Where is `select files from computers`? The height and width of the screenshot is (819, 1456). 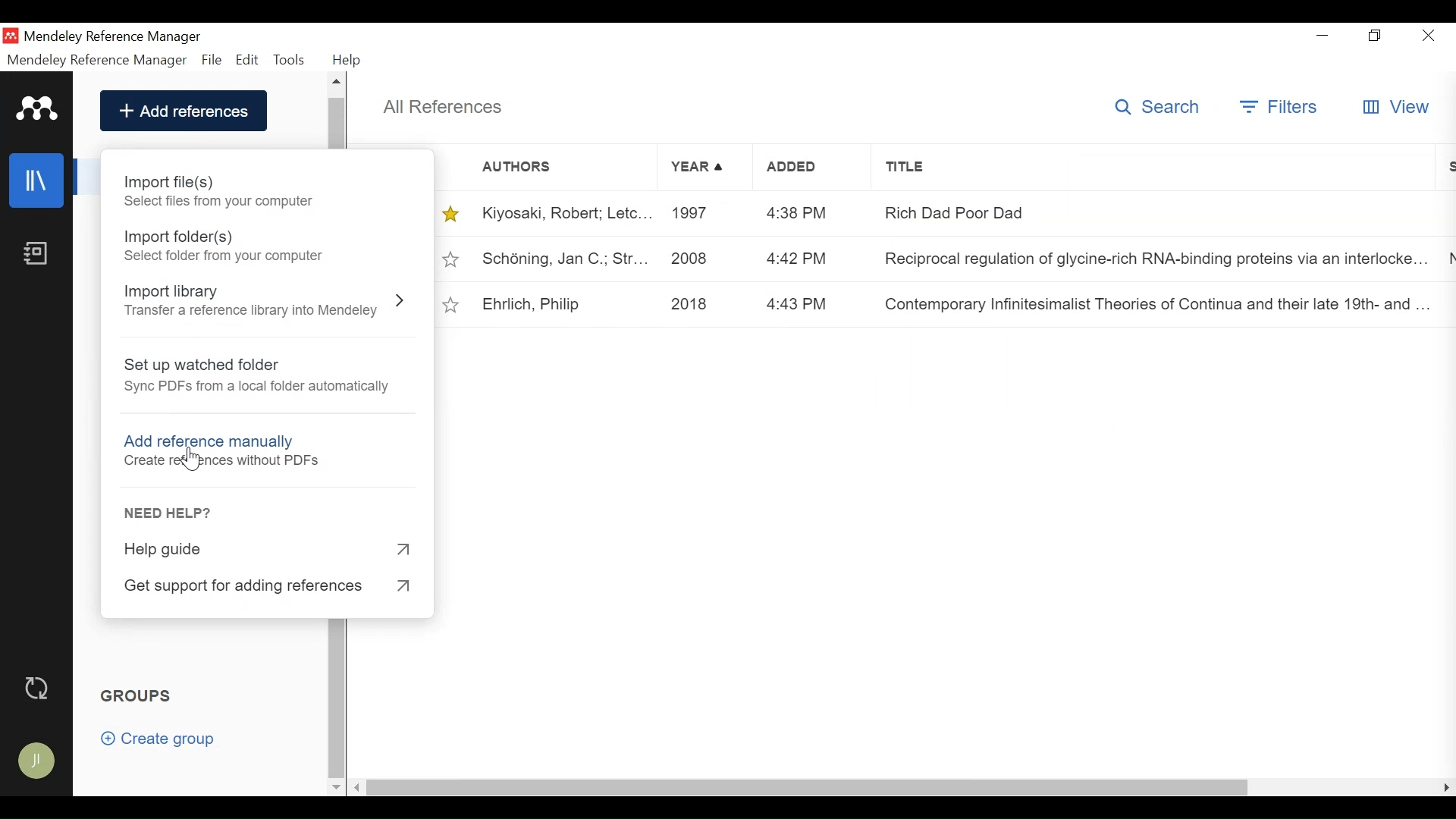
select files from computers is located at coordinates (221, 205).